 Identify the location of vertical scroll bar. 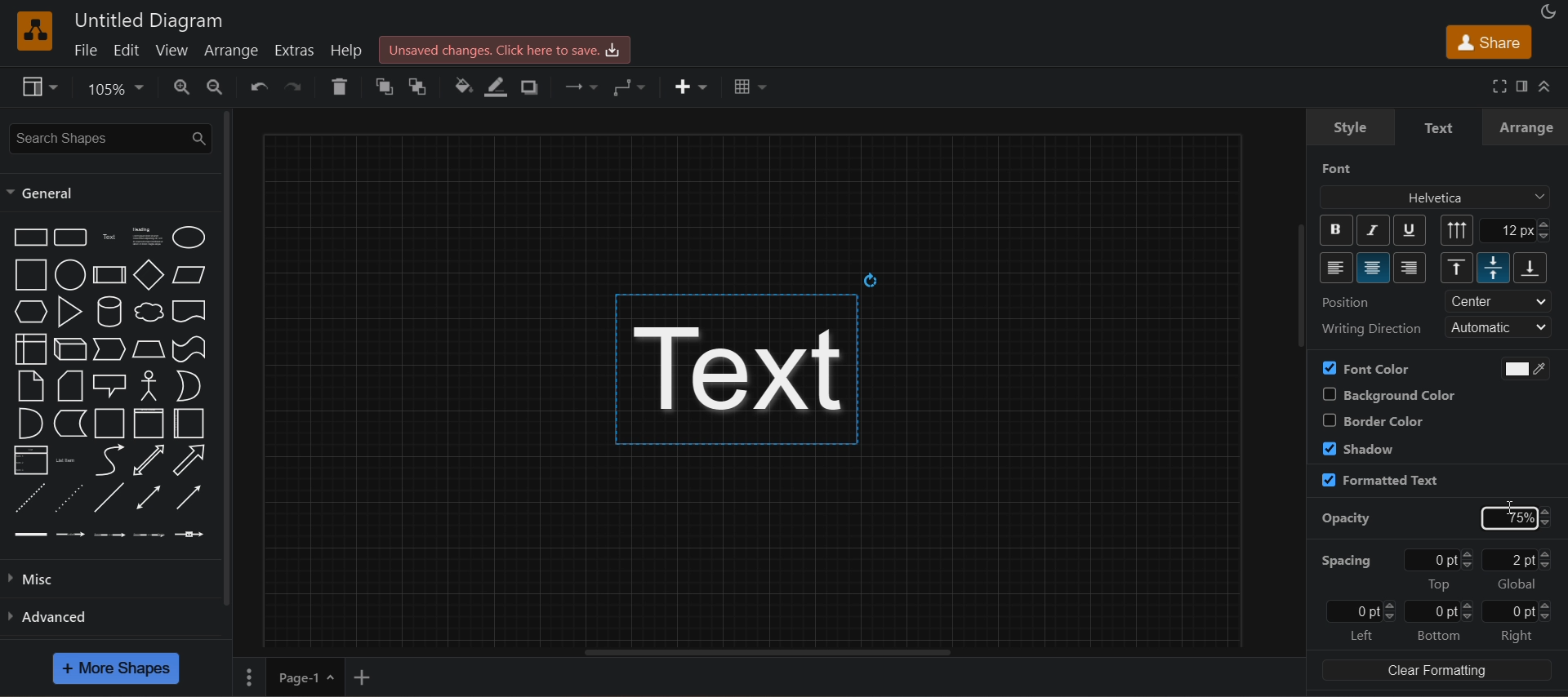
(226, 357).